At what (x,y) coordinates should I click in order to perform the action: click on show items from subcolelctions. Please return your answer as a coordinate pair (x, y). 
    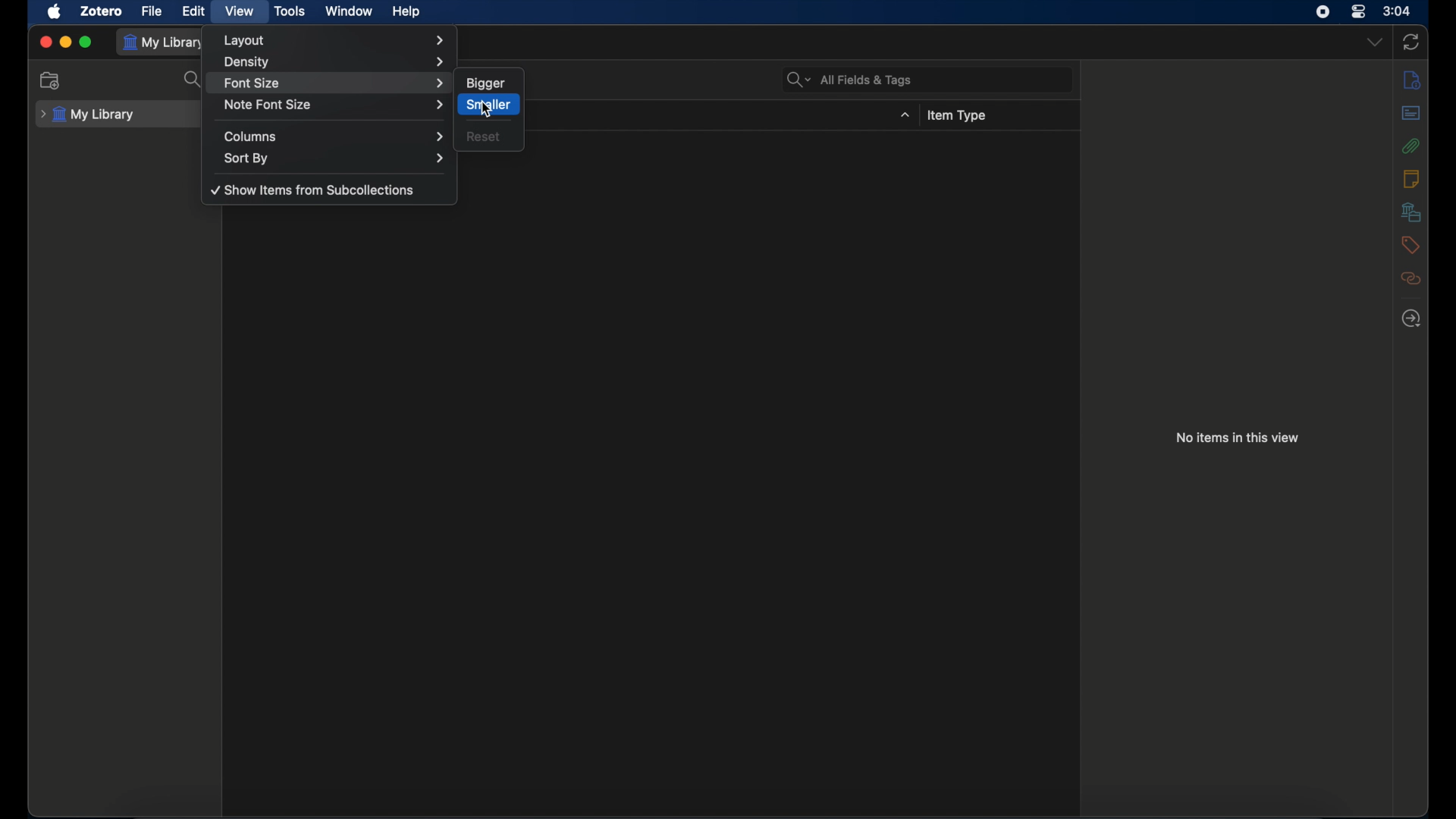
    Looking at the image, I should click on (315, 190).